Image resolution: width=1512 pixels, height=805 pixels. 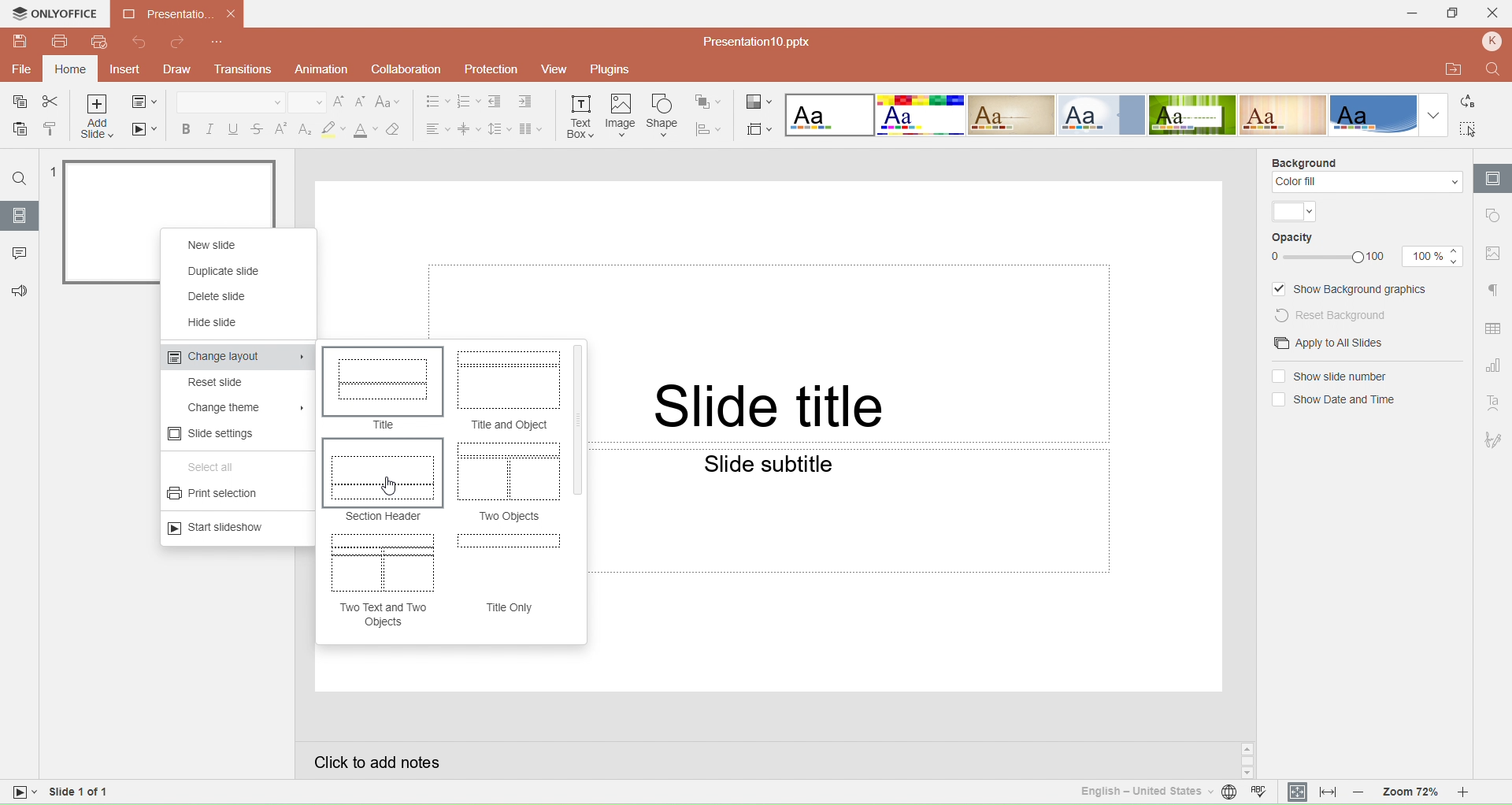 What do you see at coordinates (143, 43) in the screenshot?
I see `Undo` at bounding box center [143, 43].